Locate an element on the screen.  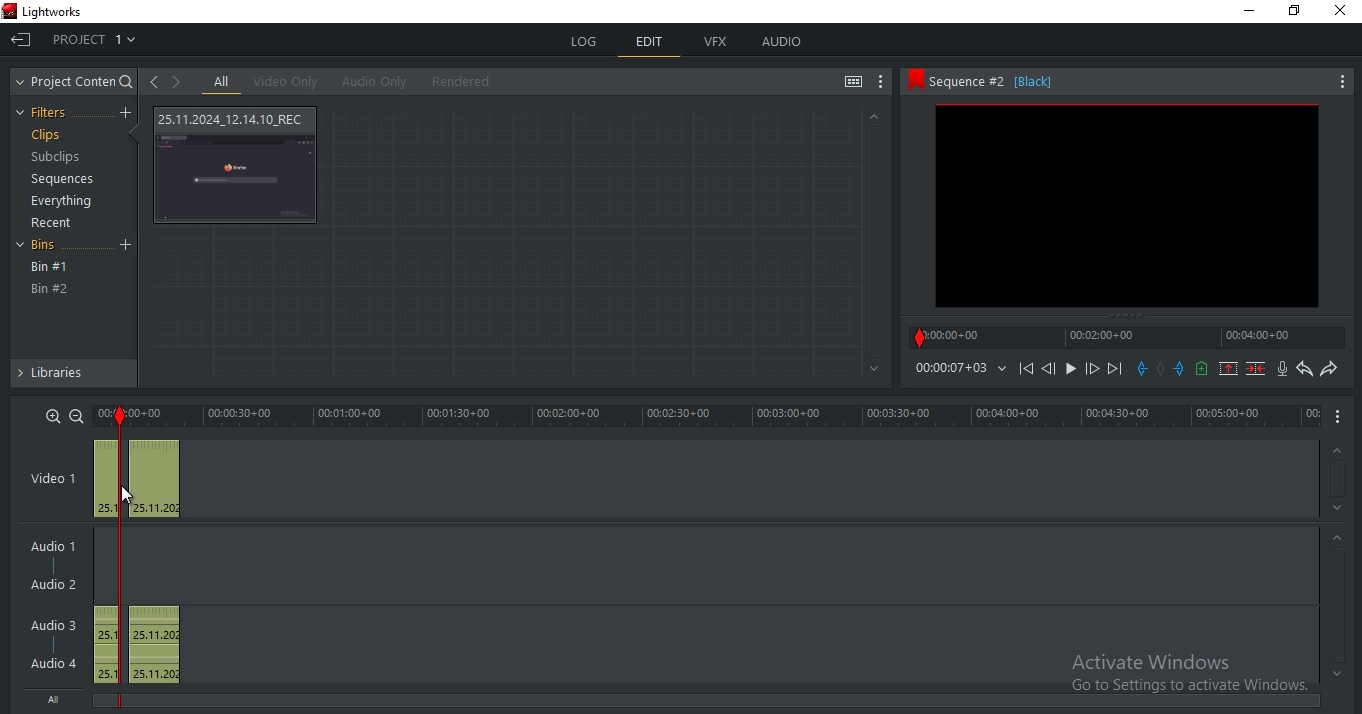
Previous is located at coordinates (1048, 368).